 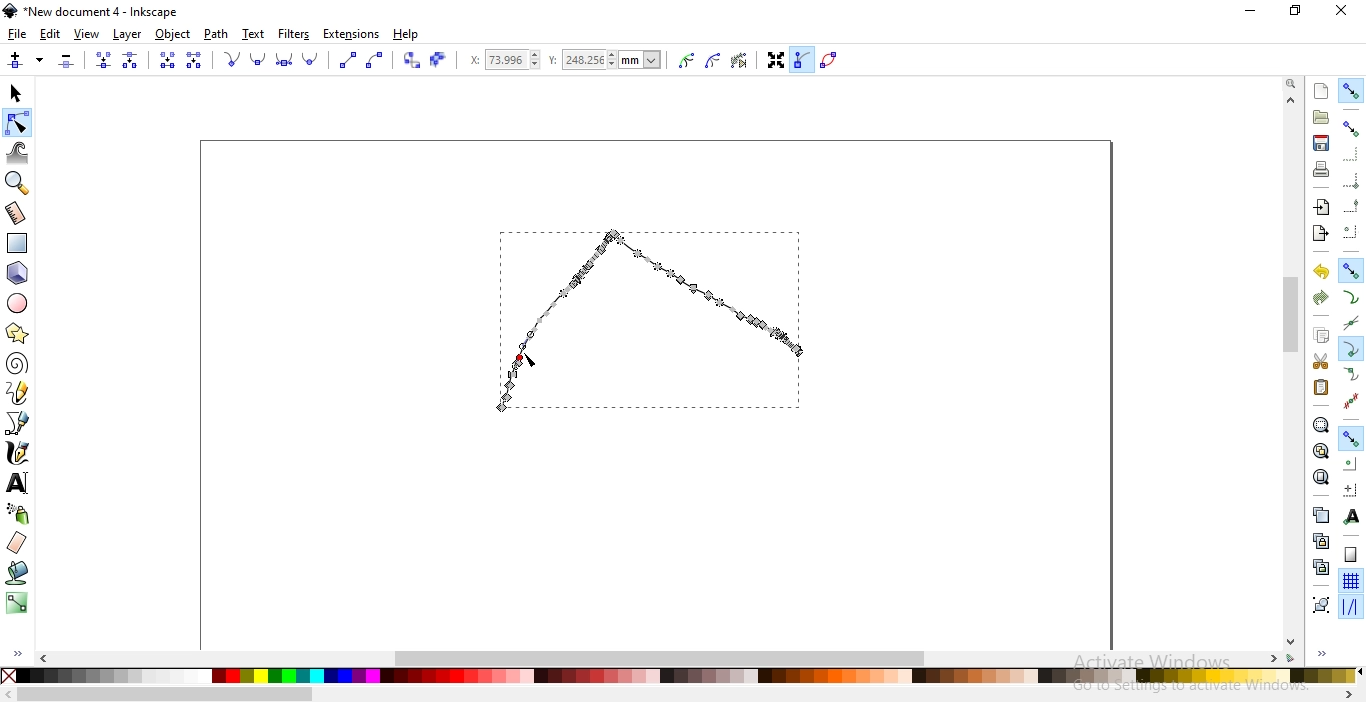 What do you see at coordinates (646, 319) in the screenshot?
I see `object image` at bounding box center [646, 319].